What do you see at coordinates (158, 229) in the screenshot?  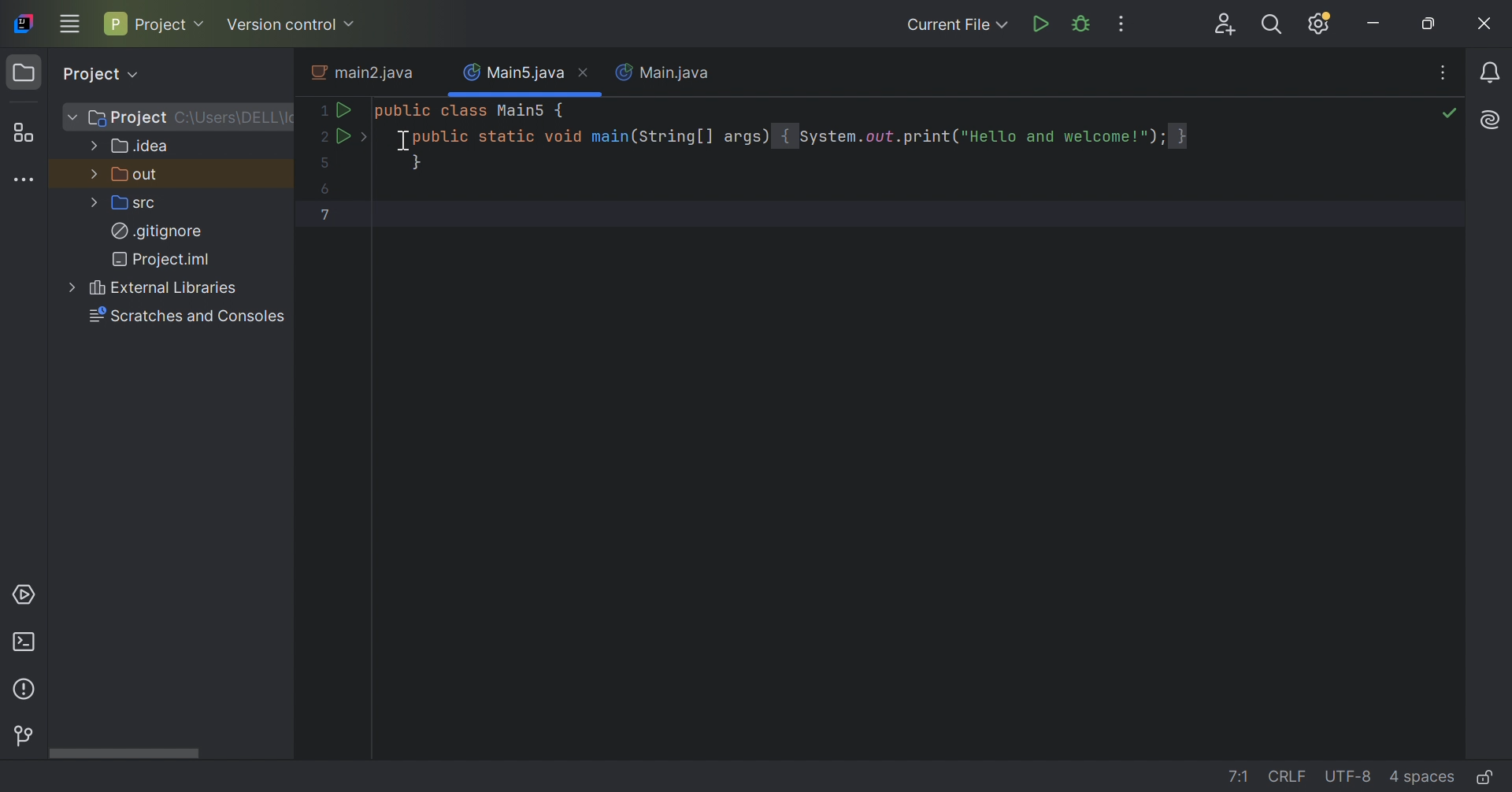 I see `.gitignore` at bounding box center [158, 229].